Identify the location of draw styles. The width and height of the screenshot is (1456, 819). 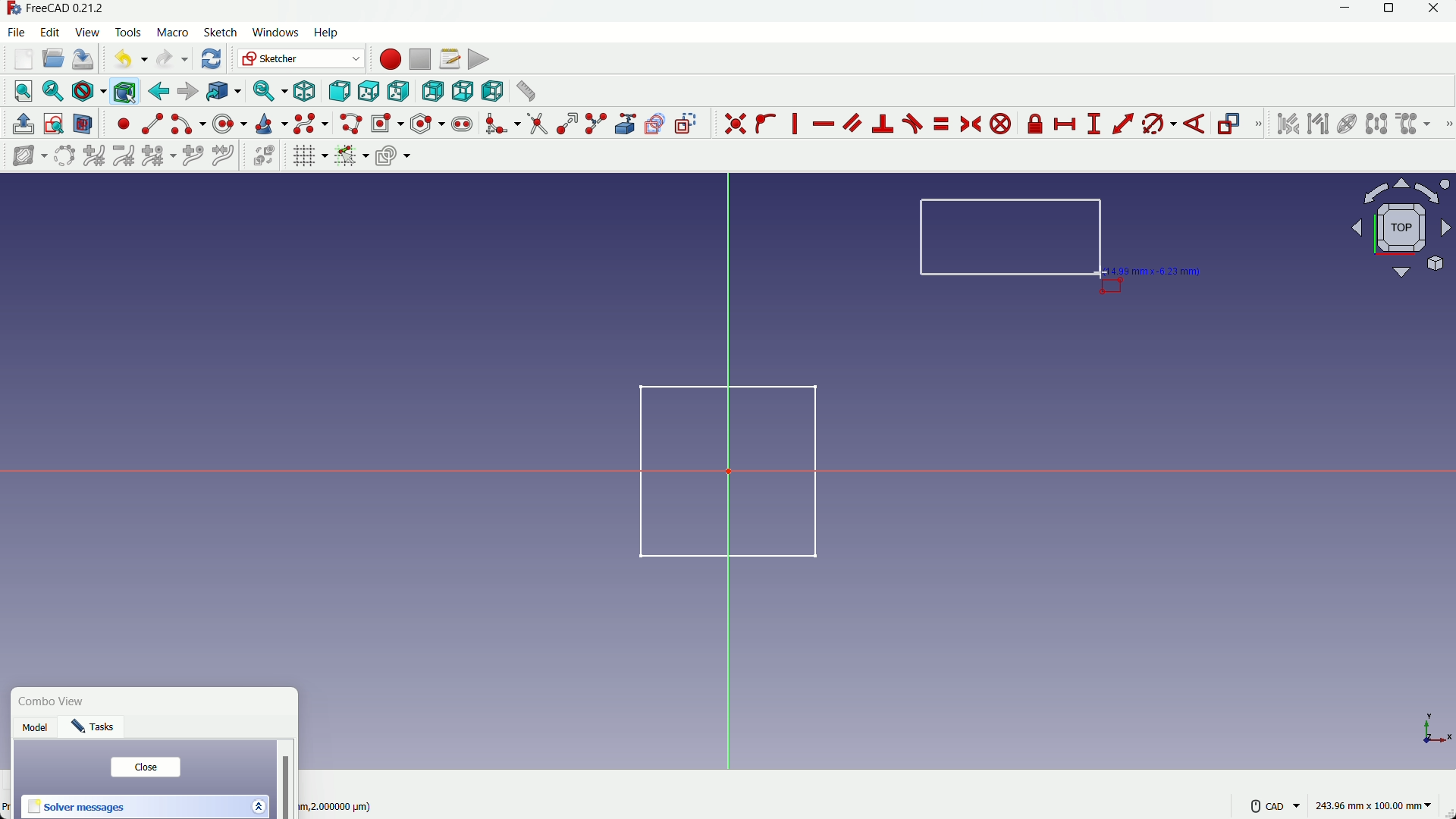
(88, 91).